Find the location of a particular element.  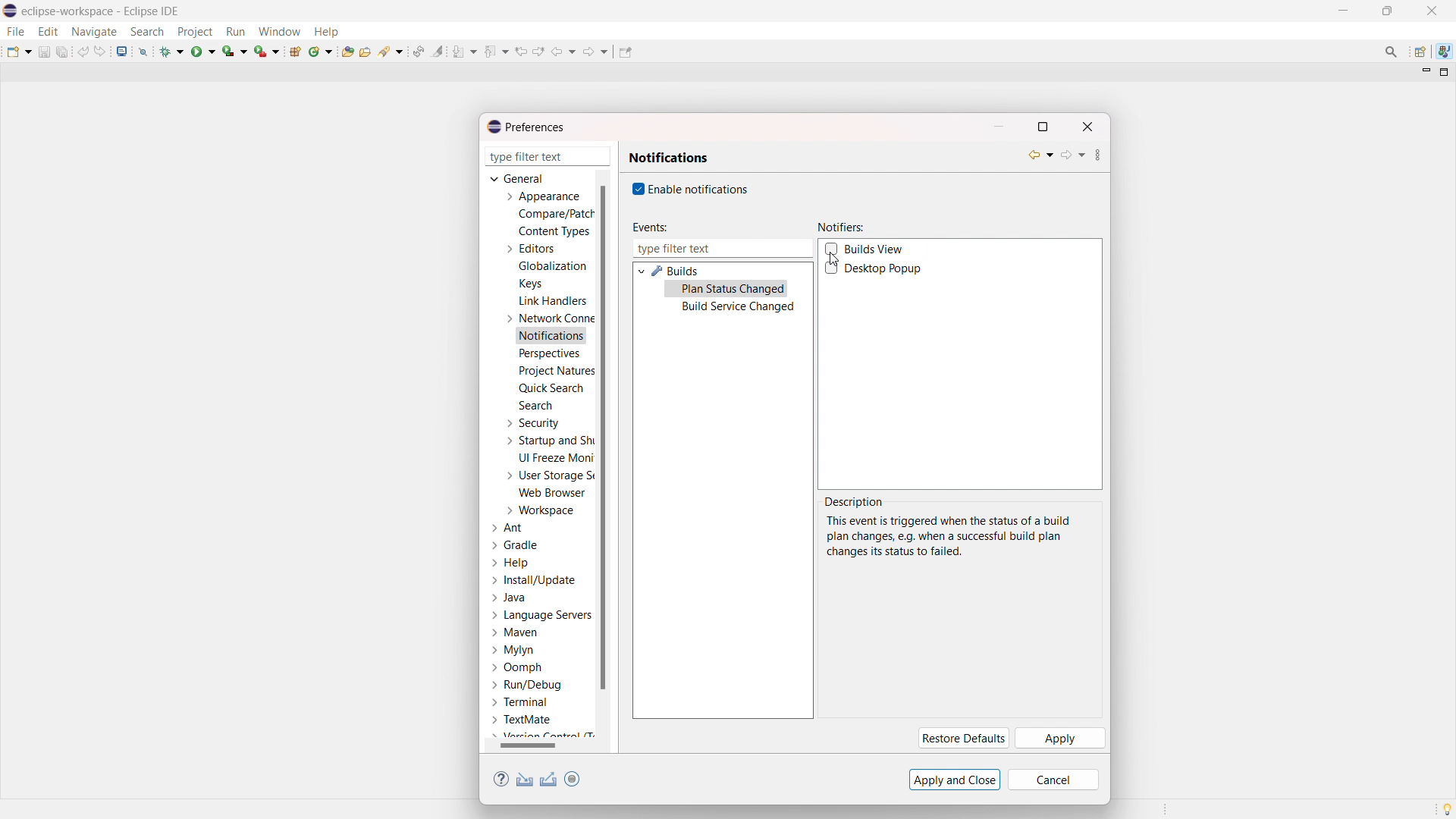

minimize is located at coordinates (1347, 11).